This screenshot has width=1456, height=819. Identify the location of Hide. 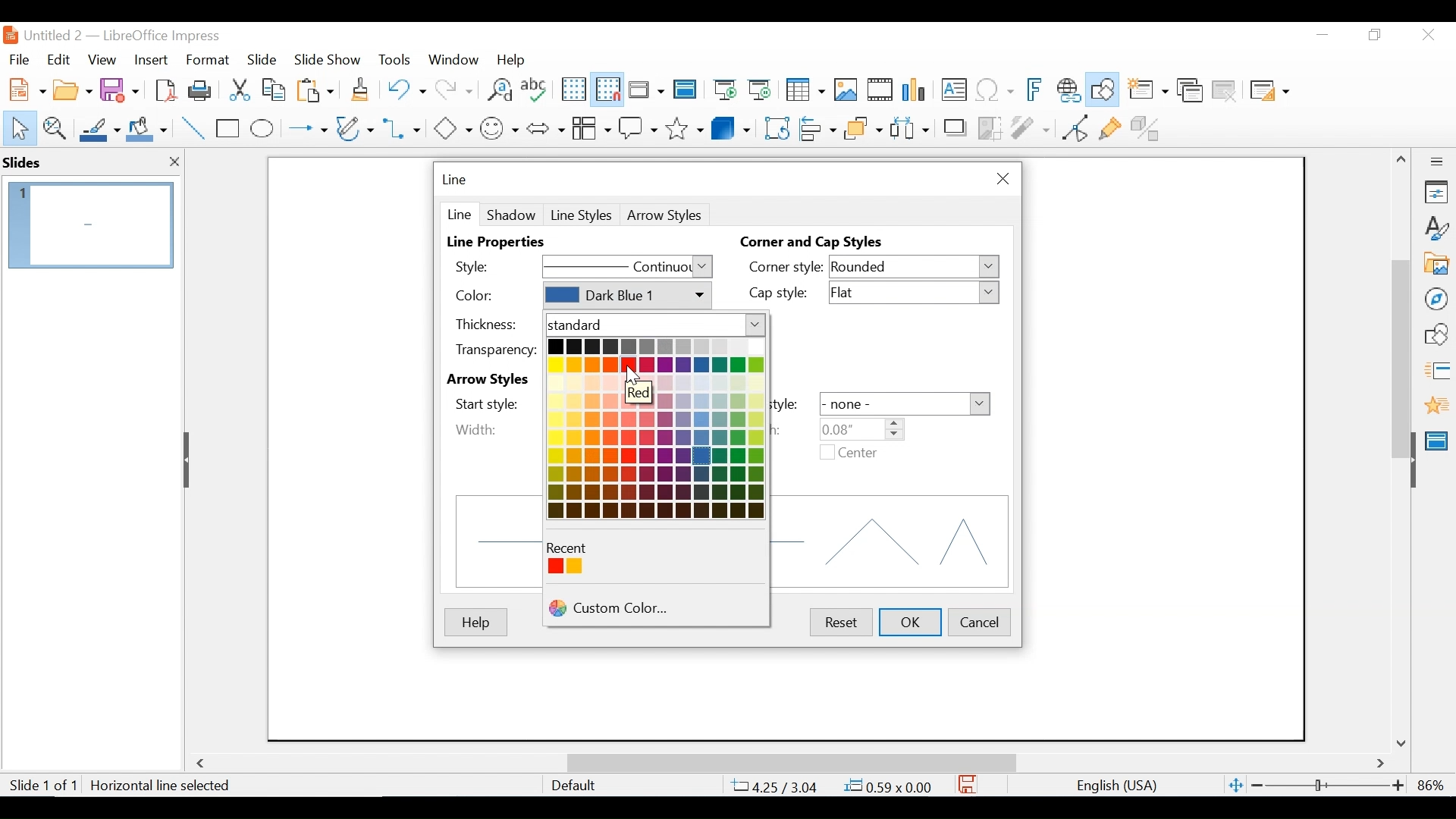
(189, 460).